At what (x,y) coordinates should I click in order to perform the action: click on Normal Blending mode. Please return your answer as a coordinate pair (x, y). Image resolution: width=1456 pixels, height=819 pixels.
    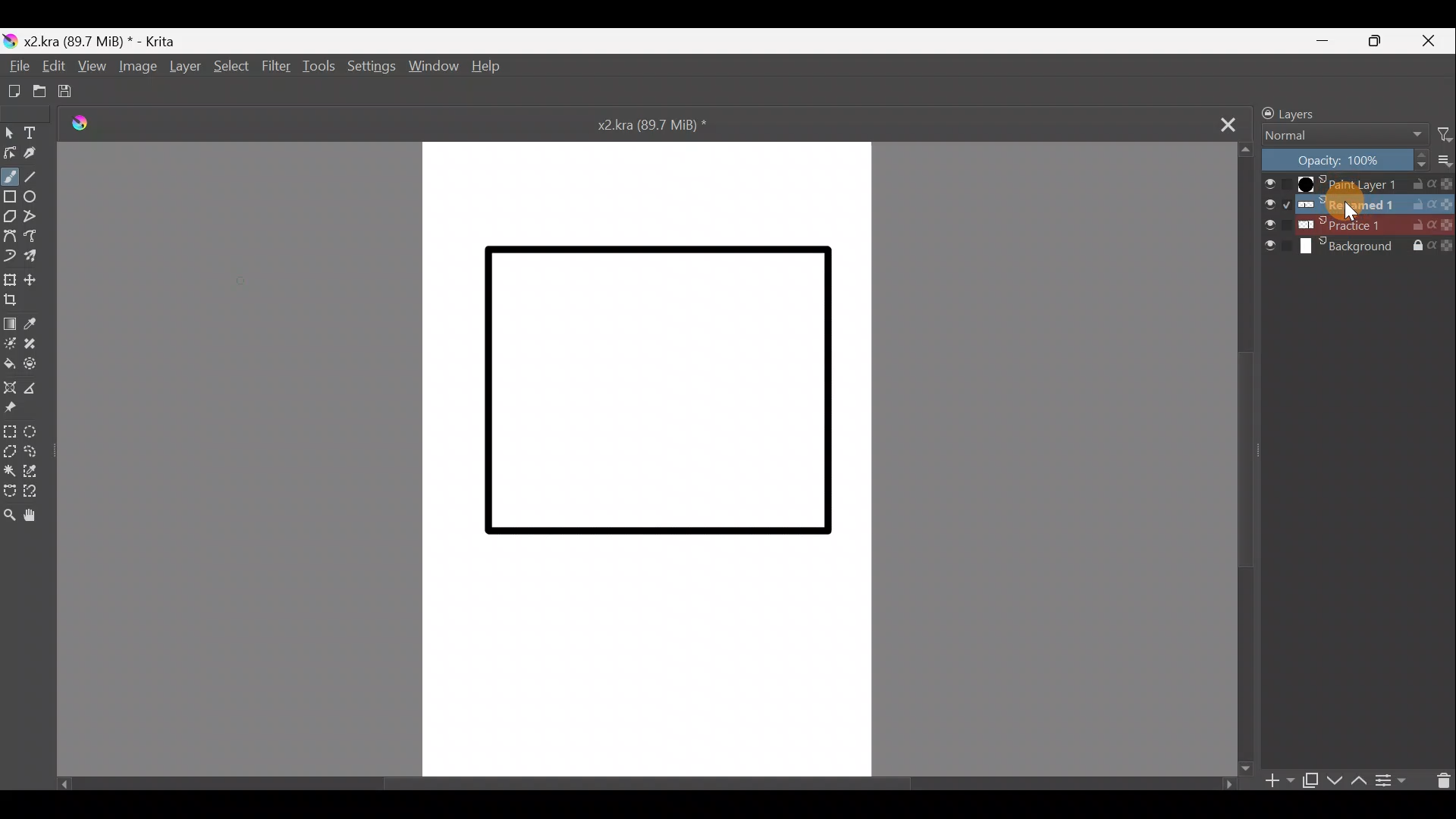
    Looking at the image, I should click on (1341, 133).